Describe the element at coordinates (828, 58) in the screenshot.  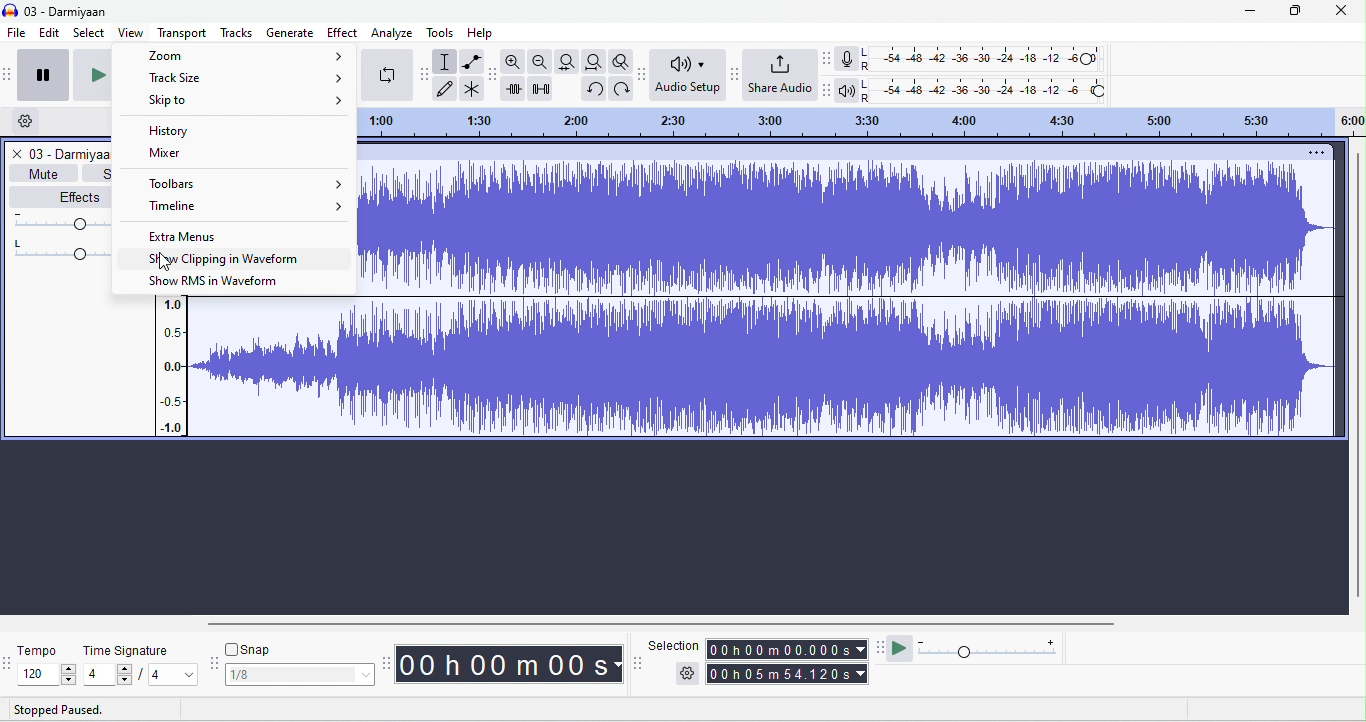
I see `audacity record meter toolbar` at that location.